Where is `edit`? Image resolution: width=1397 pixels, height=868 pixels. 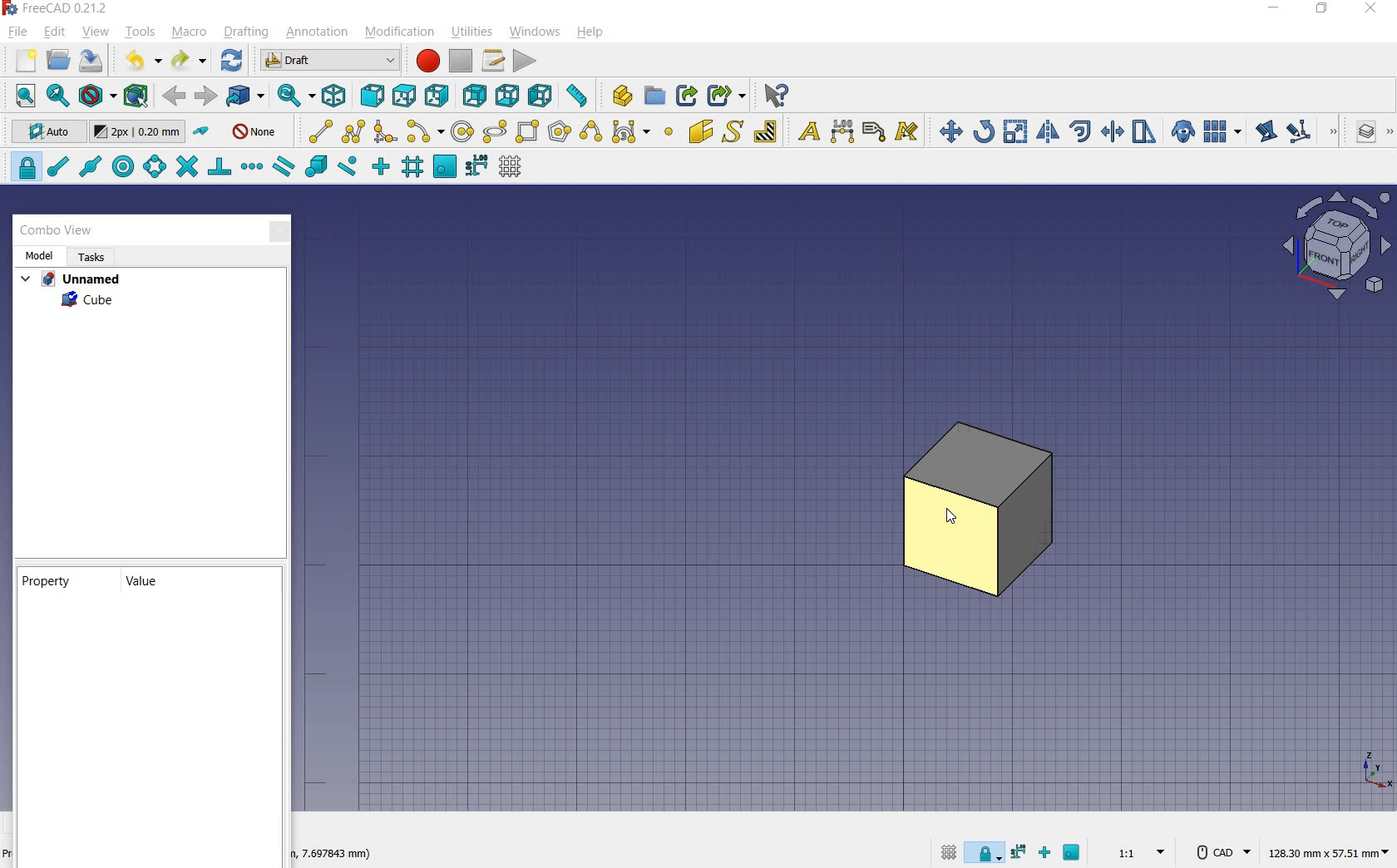 edit is located at coordinates (55, 32).